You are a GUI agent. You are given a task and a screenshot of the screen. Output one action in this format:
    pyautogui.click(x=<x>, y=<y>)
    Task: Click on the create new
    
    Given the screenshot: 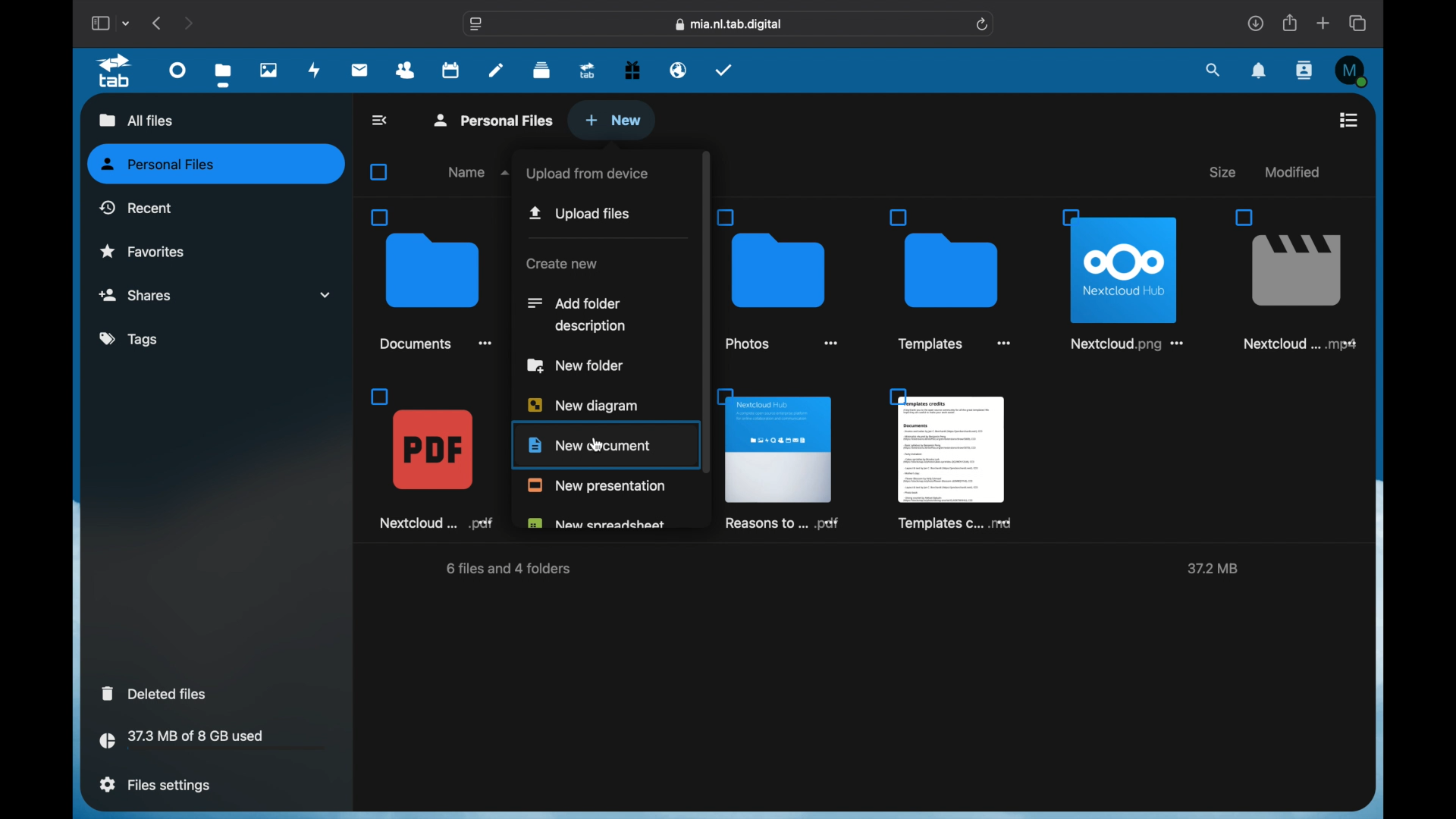 What is the action you would take?
    pyautogui.click(x=561, y=265)
    